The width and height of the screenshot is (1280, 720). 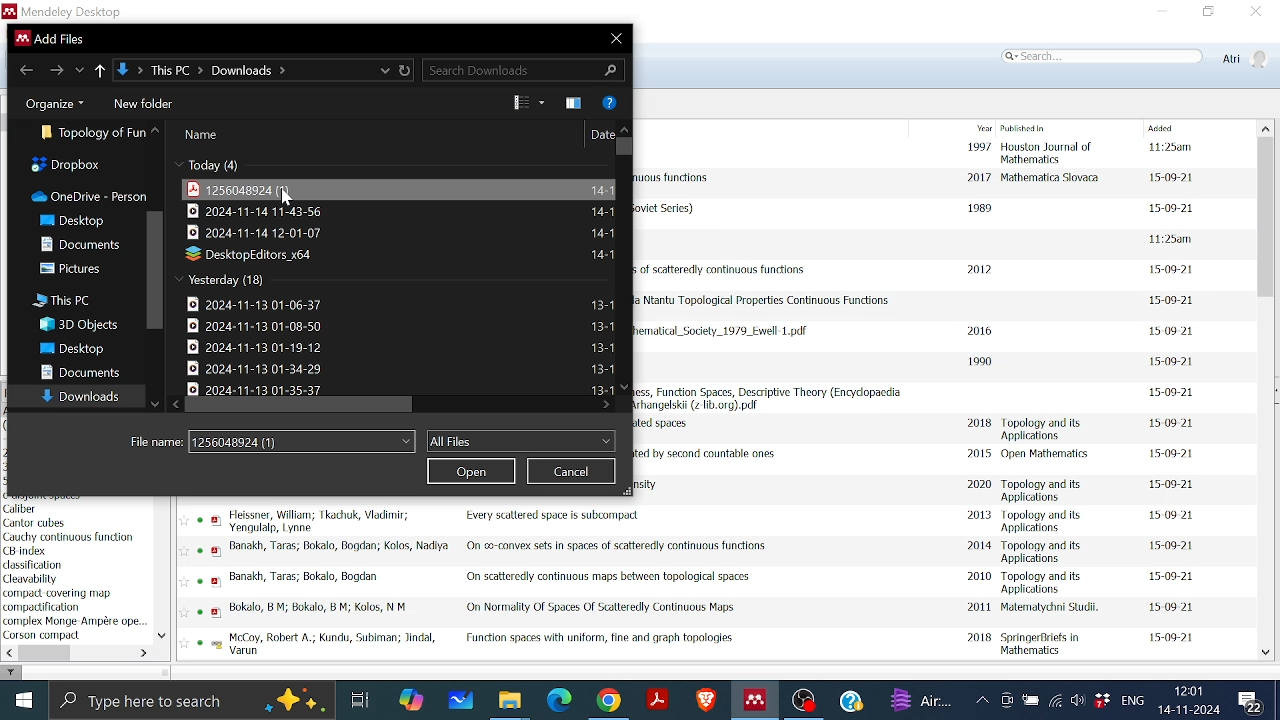 I want to click on Published in, so click(x=1052, y=522).